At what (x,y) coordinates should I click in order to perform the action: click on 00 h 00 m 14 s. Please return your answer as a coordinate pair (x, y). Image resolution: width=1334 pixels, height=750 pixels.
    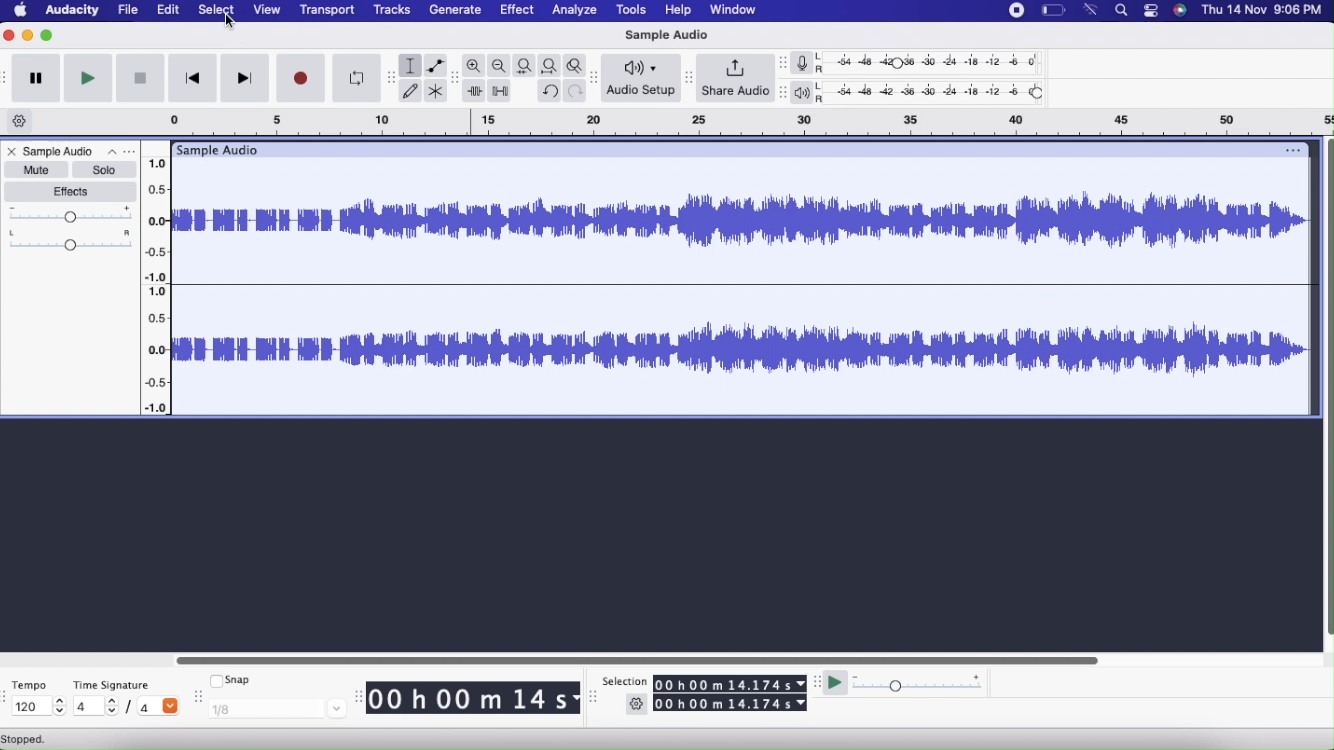
    Looking at the image, I should click on (475, 694).